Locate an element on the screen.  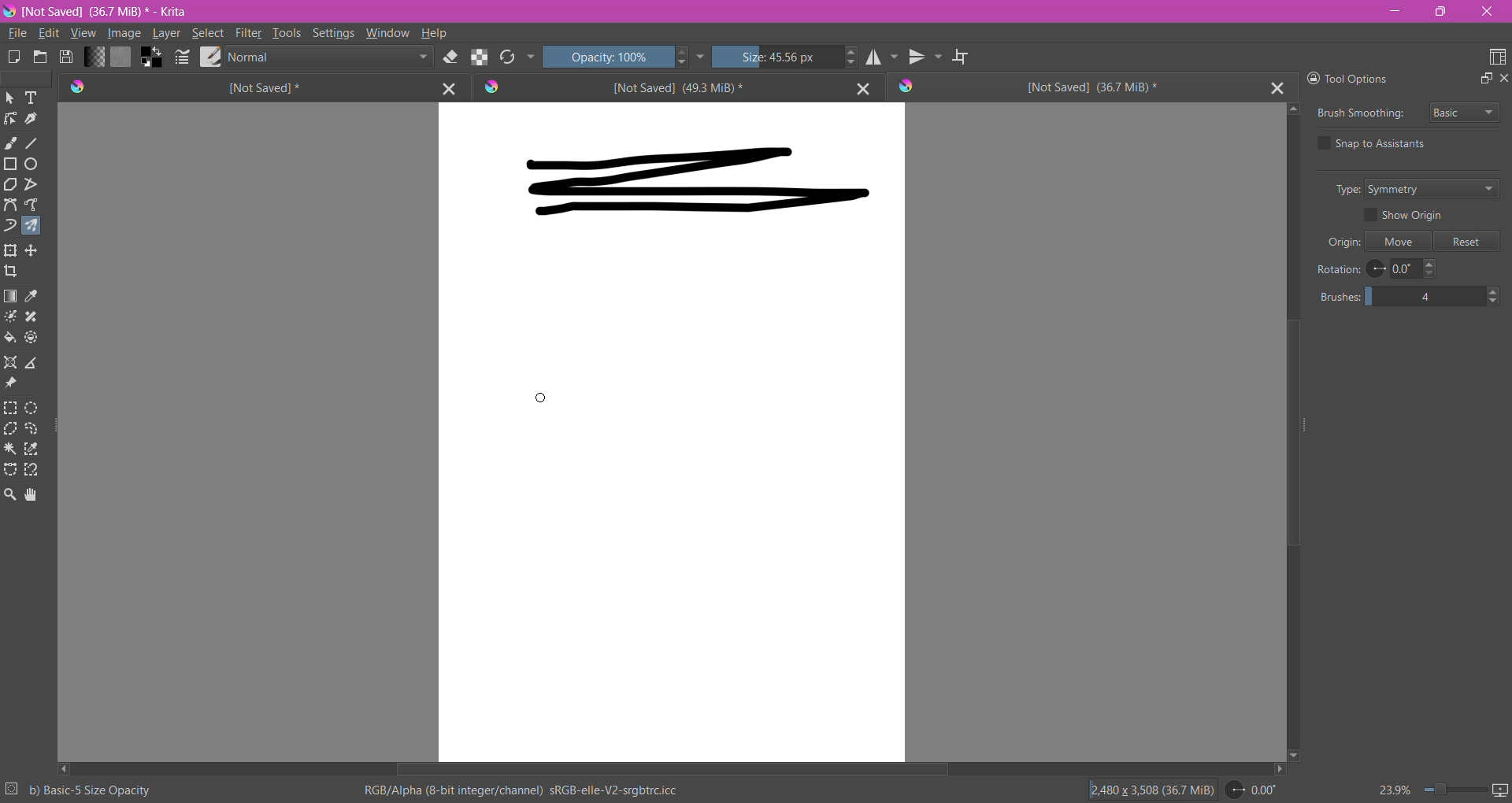
Open and existing Document is located at coordinates (40, 57).